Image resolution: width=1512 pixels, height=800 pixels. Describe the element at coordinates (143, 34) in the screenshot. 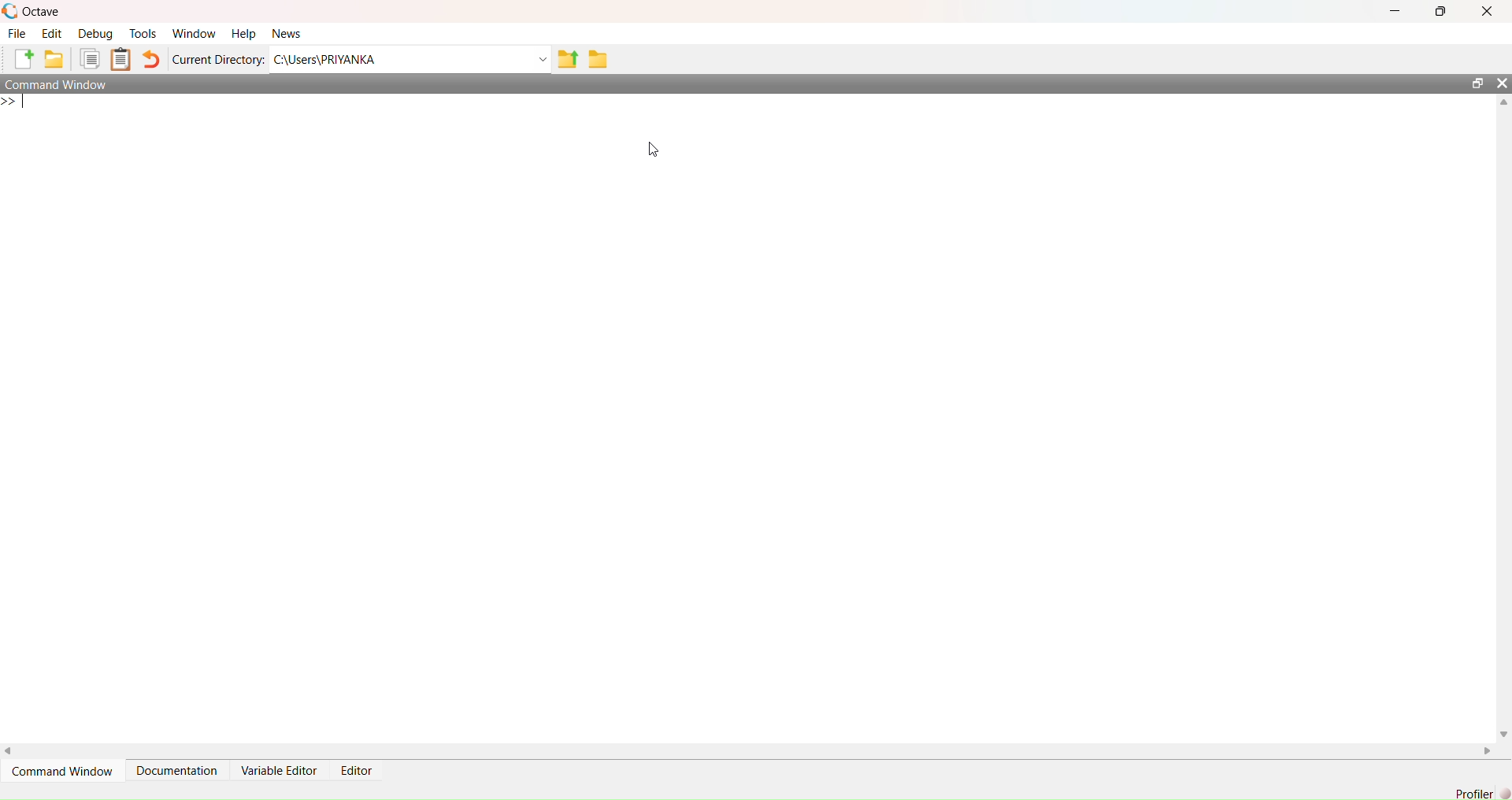

I see `Tools` at that location.